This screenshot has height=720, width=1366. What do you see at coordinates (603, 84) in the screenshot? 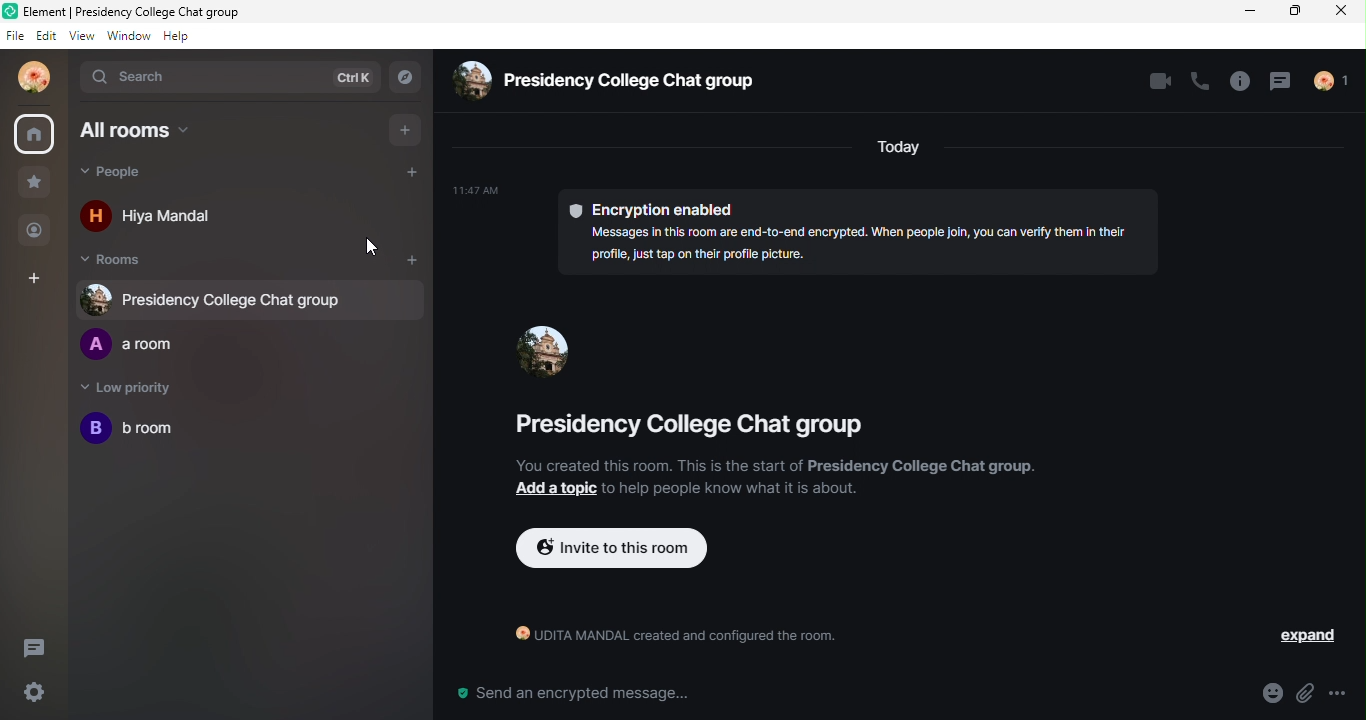
I see `precidency college chat group` at bounding box center [603, 84].